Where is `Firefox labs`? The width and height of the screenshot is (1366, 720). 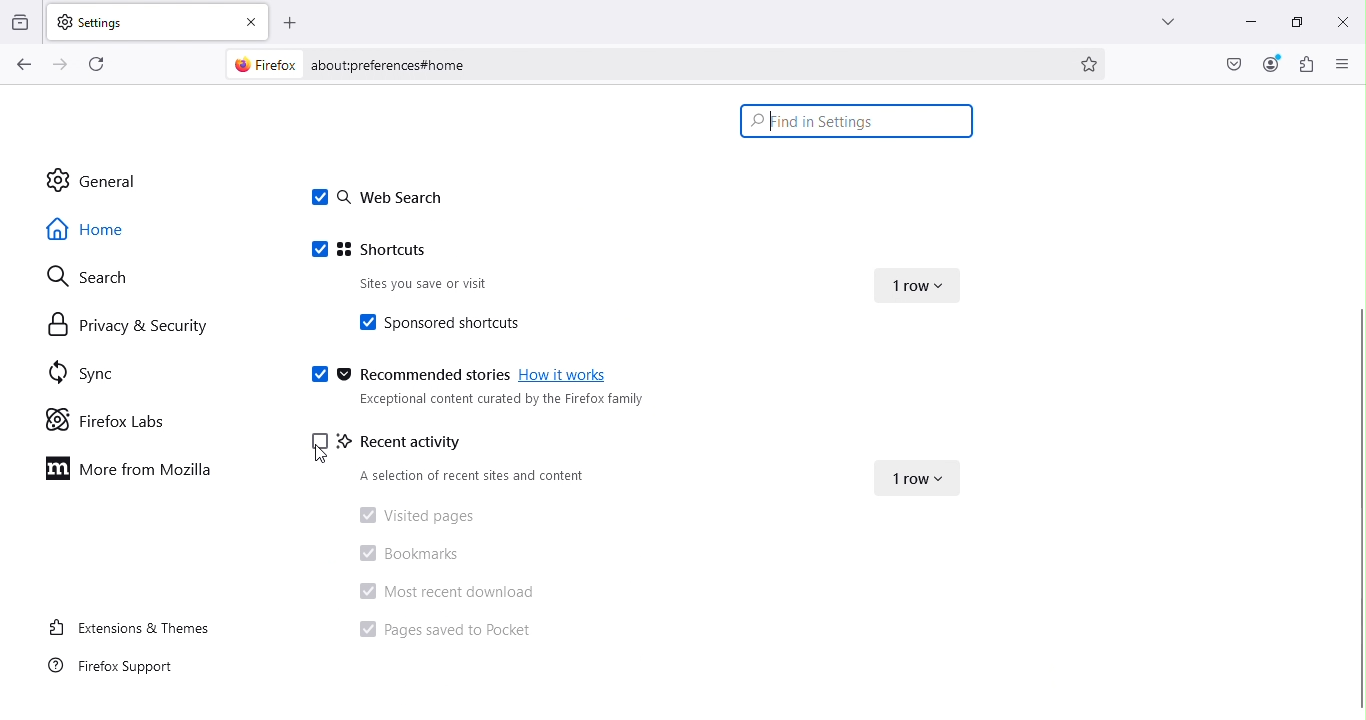
Firefox labs is located at coordinates (110, 419).